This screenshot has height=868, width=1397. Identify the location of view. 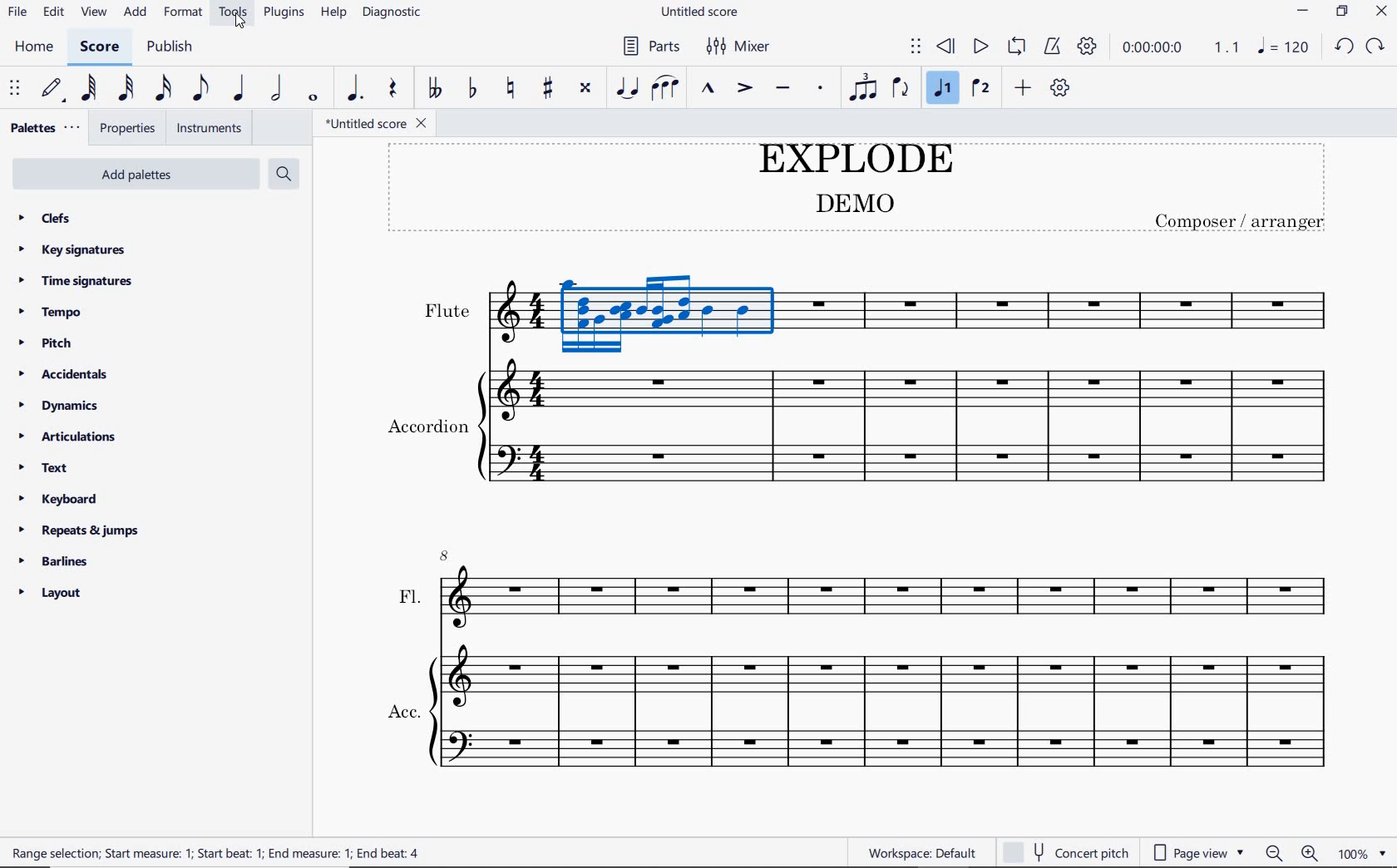
(91, 11).